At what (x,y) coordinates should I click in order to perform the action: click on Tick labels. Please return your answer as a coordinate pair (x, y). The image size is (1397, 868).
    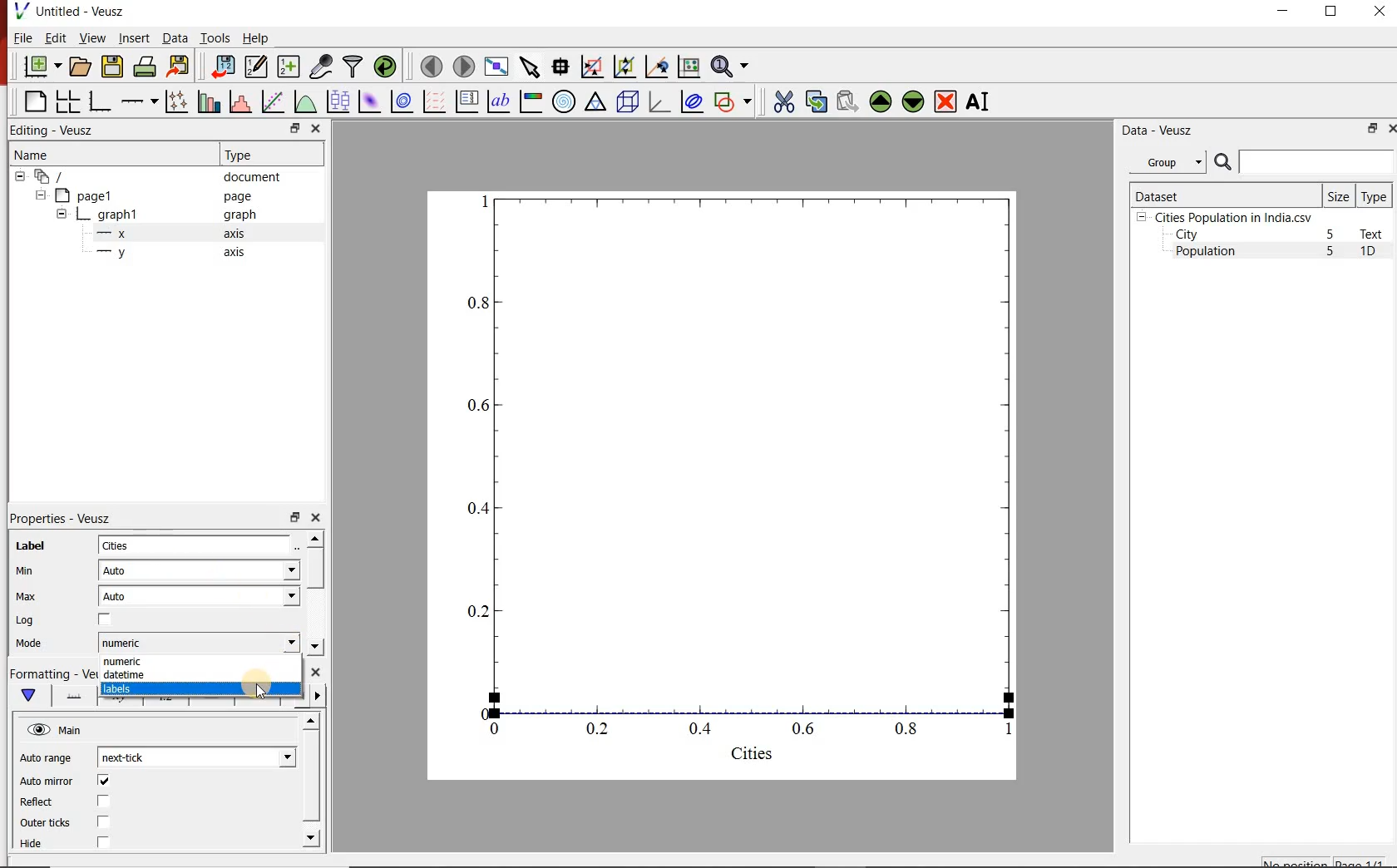
    Looking at the image, I should click on (160, 704).